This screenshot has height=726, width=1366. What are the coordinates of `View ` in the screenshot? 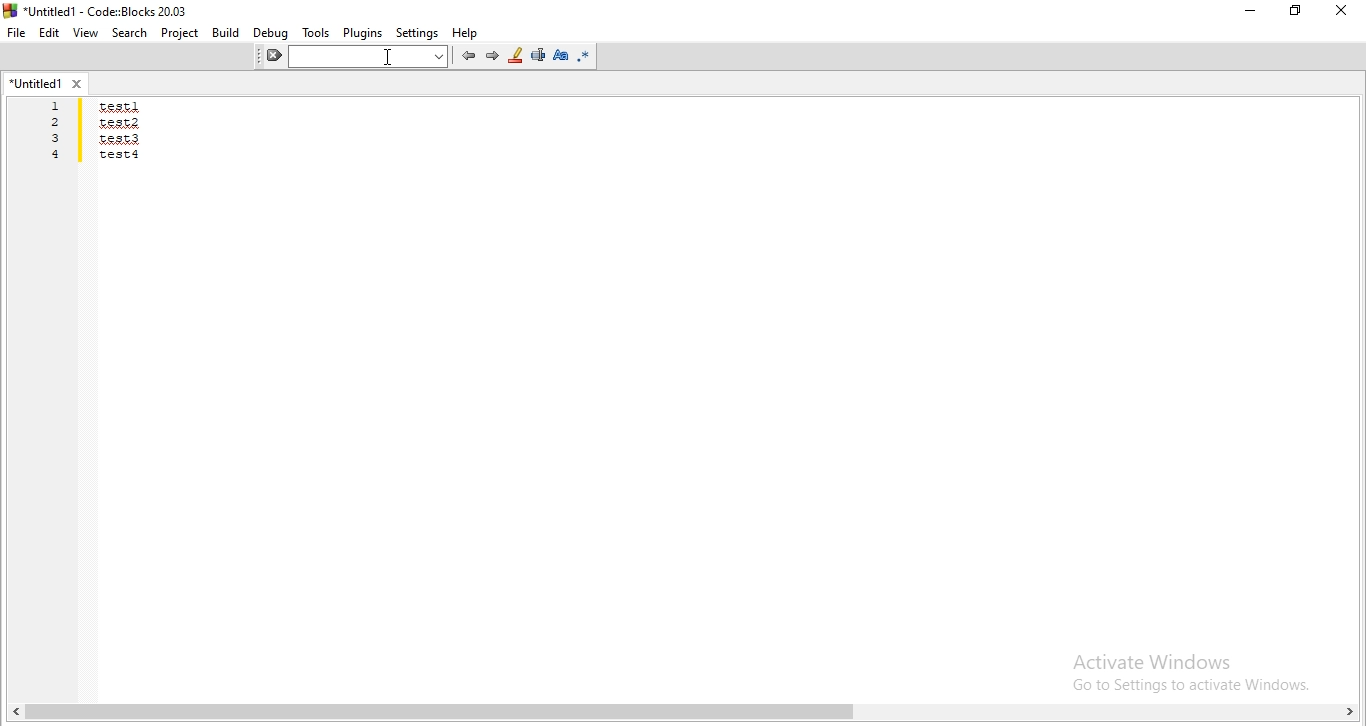 It's located at (86, 34).